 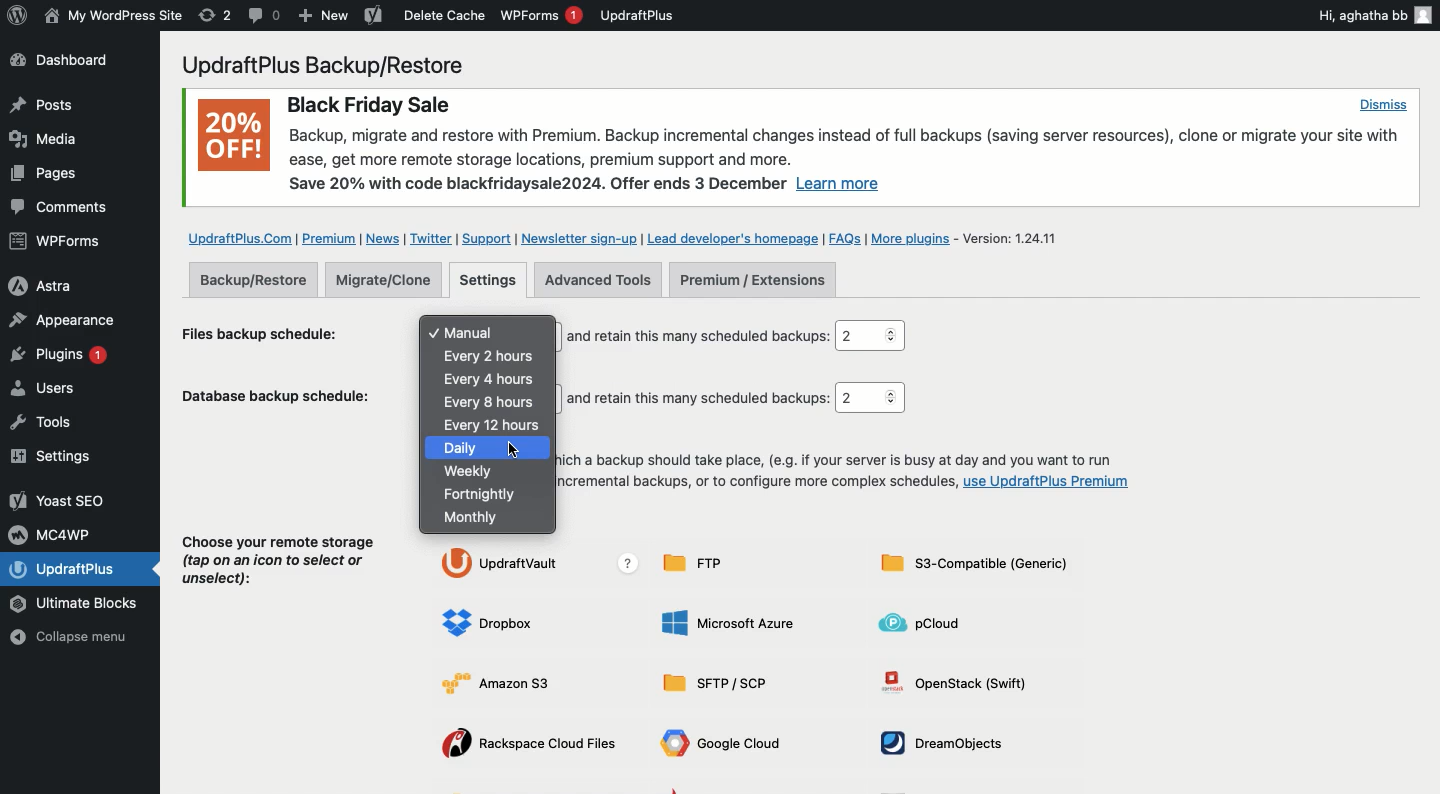 I want to click on UpdraftPlus, so click(x=83, y=569).